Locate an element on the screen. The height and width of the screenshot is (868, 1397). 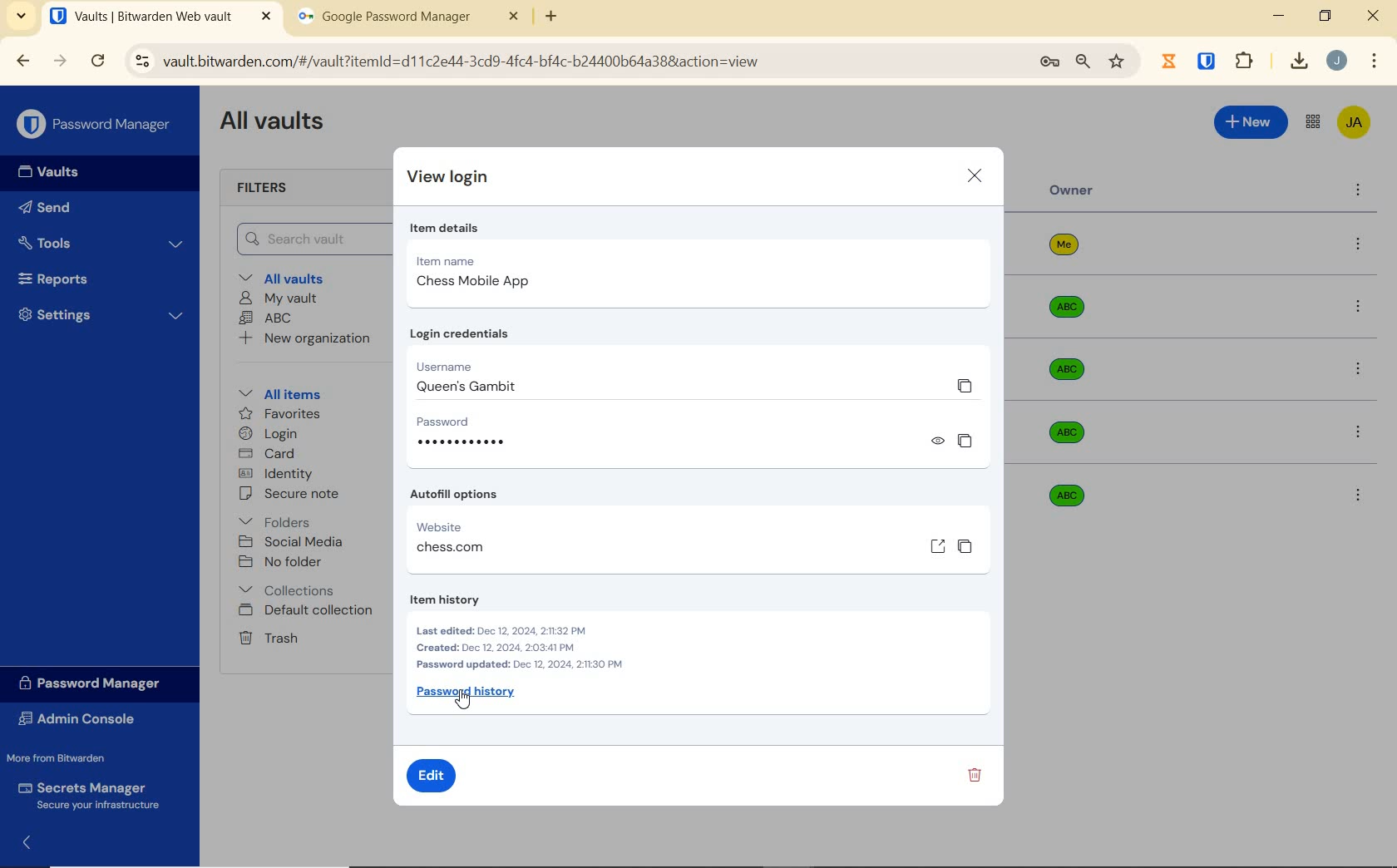
search tabs is located at coordinates (21, 19).